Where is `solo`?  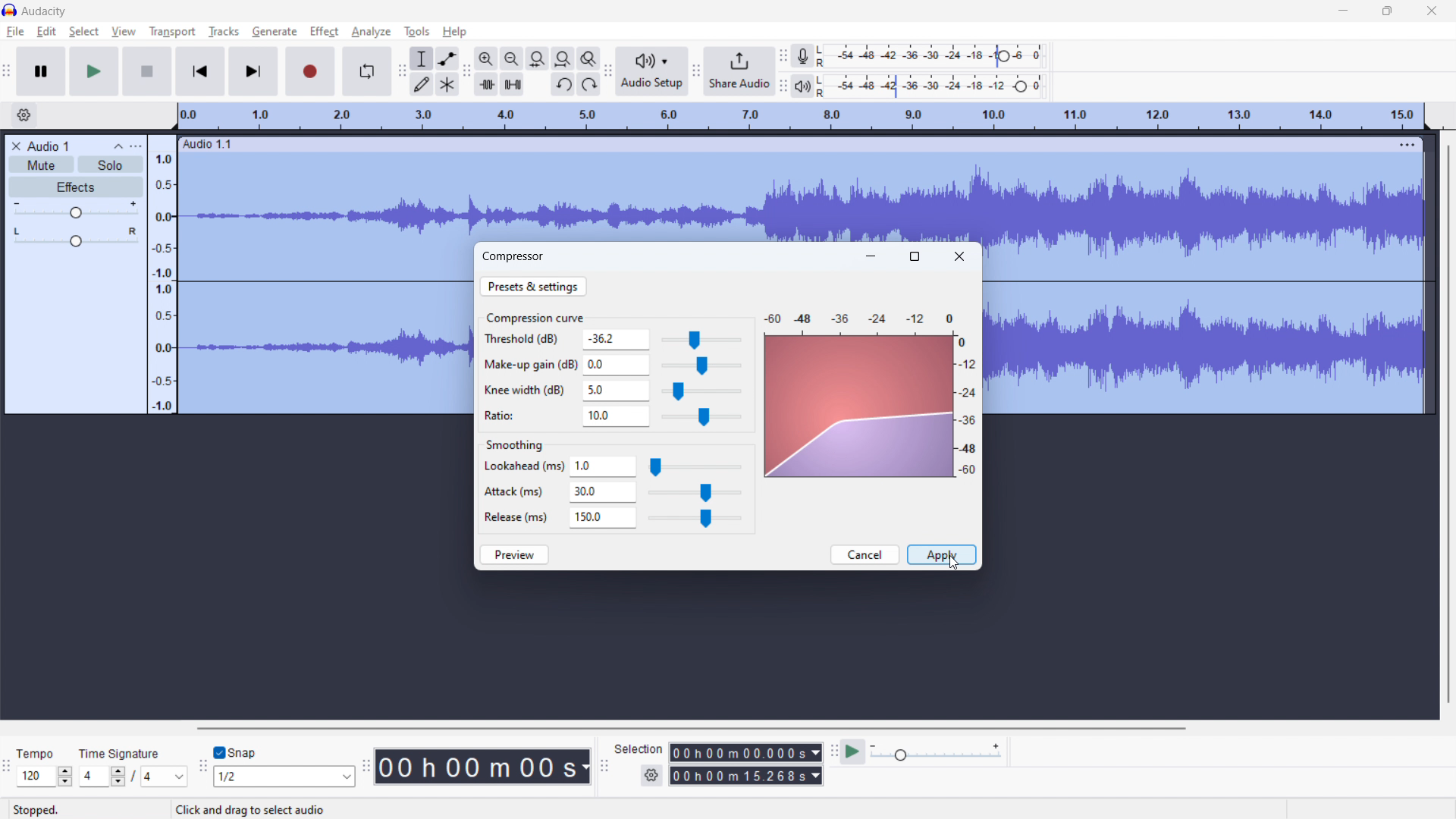
solo is located at coordinates (111, 164).